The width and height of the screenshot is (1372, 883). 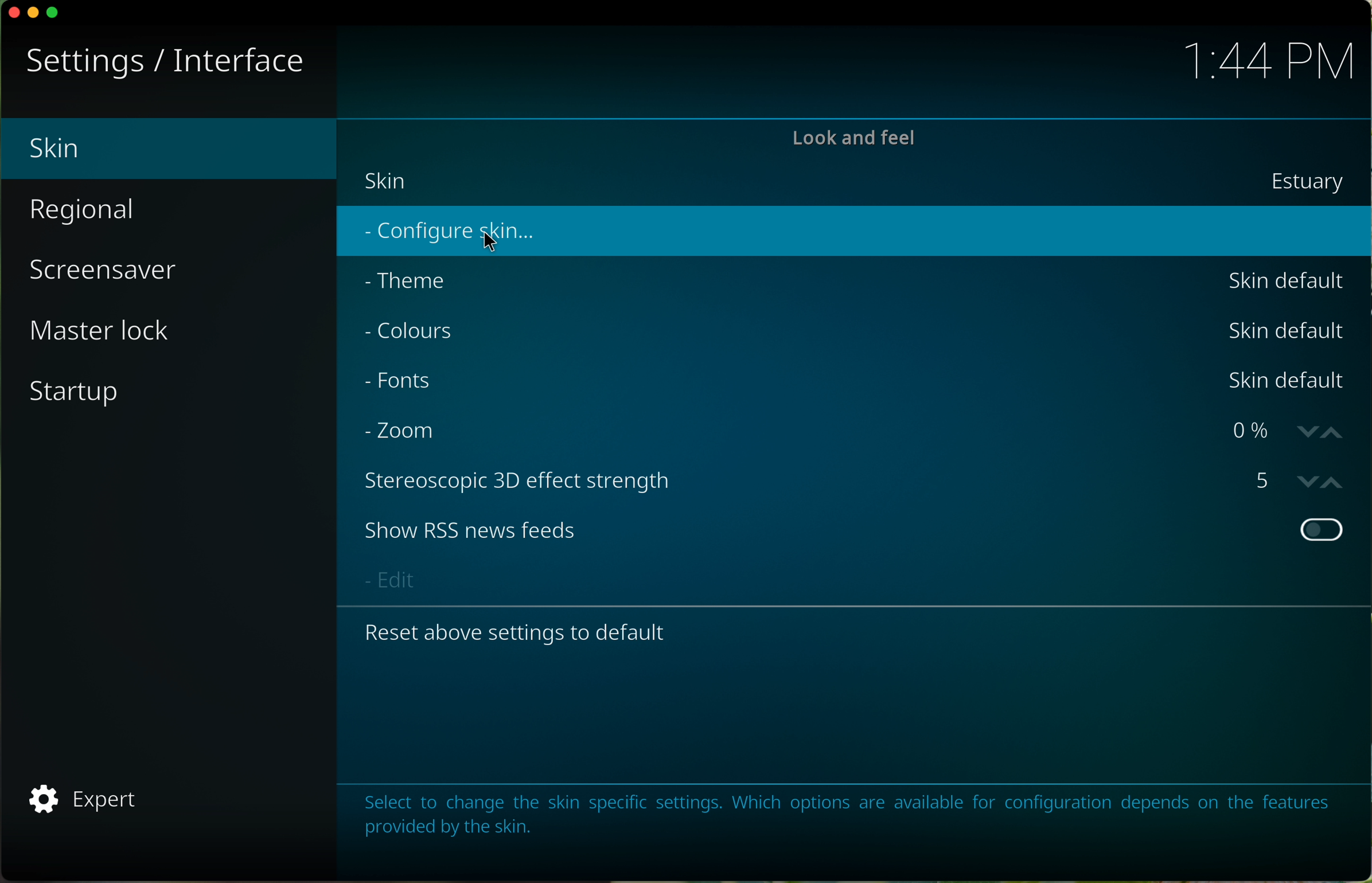 I want to click on colours, so click(x=411, y=333).